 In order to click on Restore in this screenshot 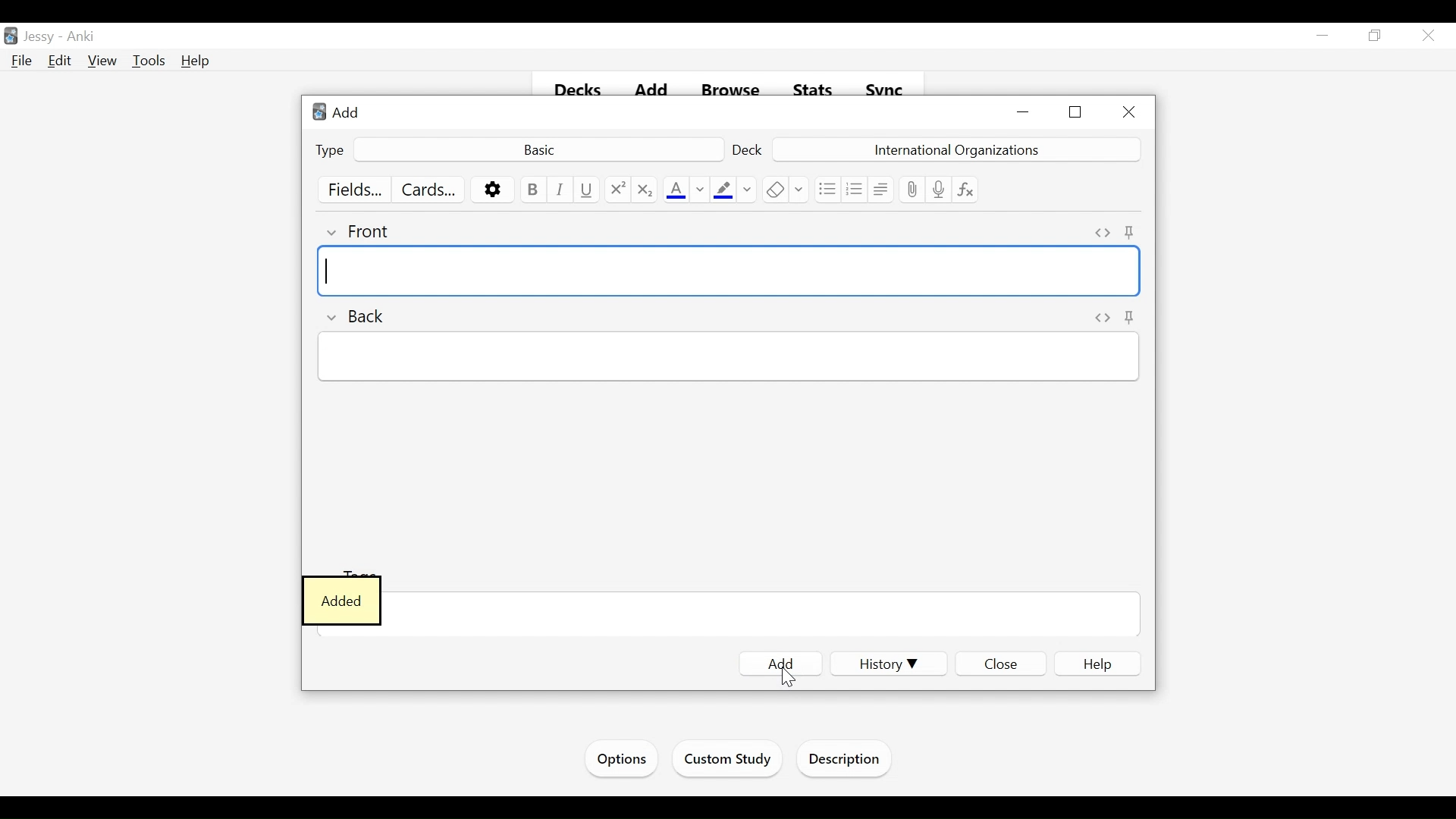, I will do `click(1077, 112)`.